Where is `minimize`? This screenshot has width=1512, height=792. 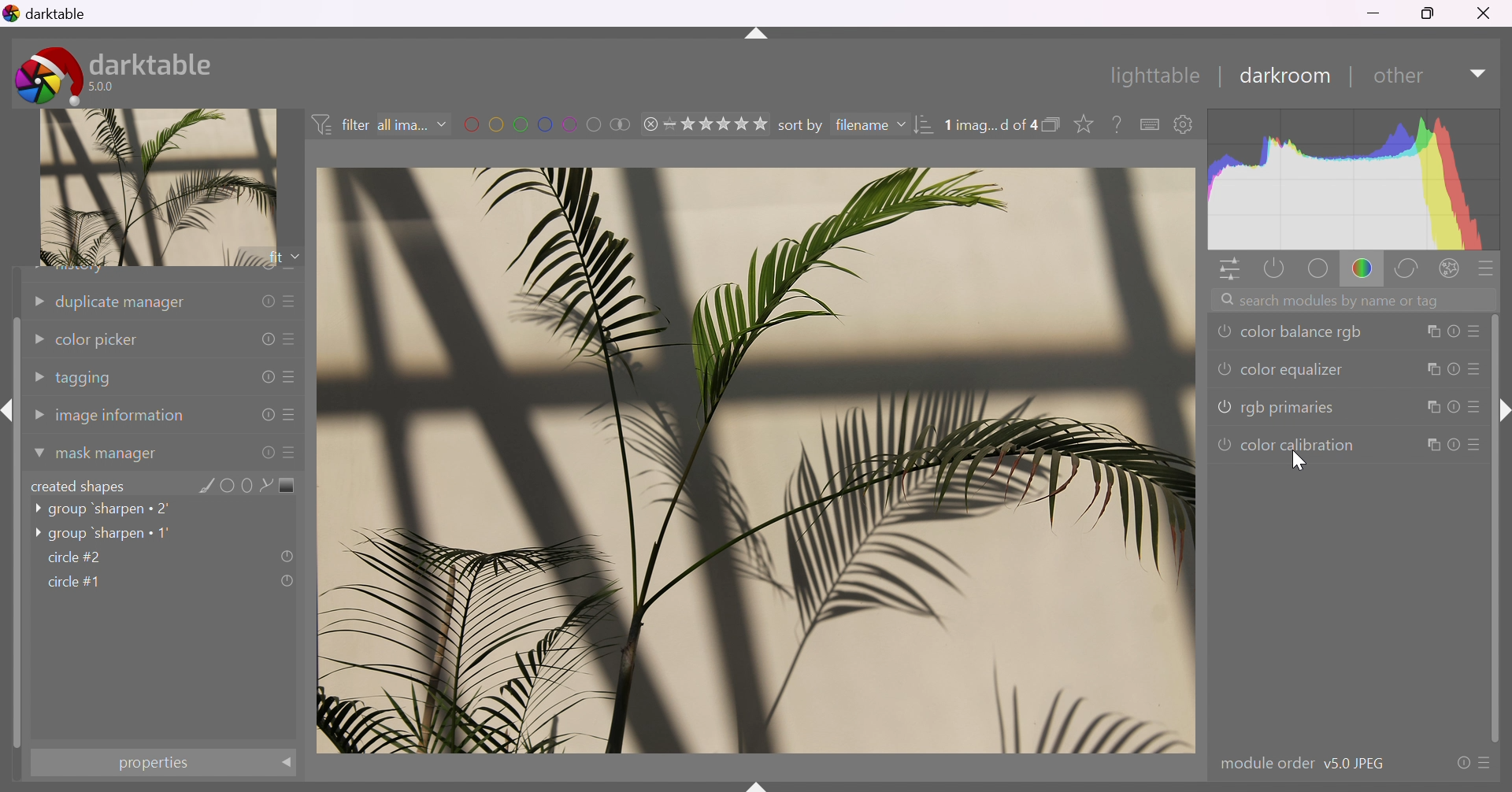
minimize is located at coordinates (1376, 13).